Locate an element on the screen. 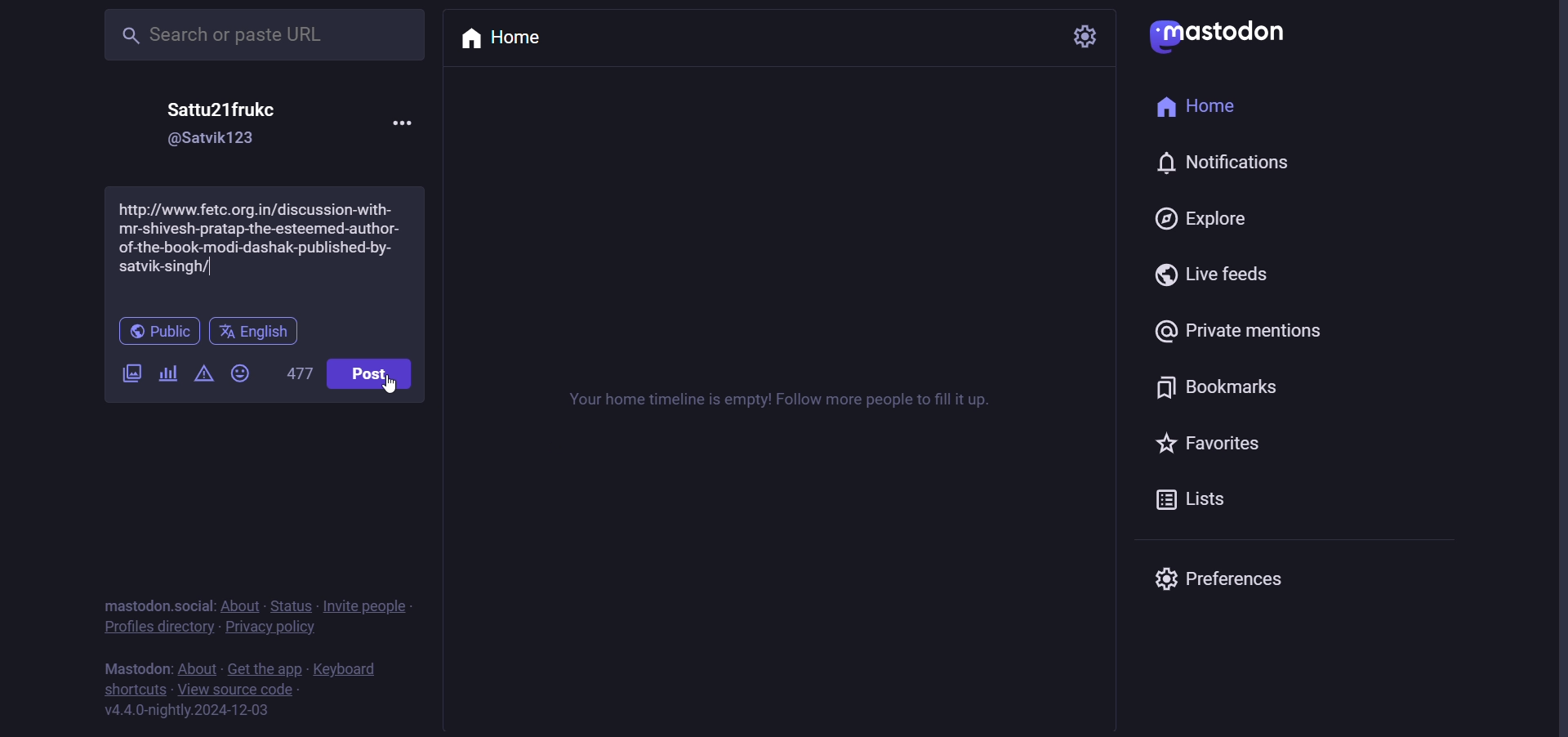 The image size is (1568, 737). bookmark is located at coordinates (1219, 390).